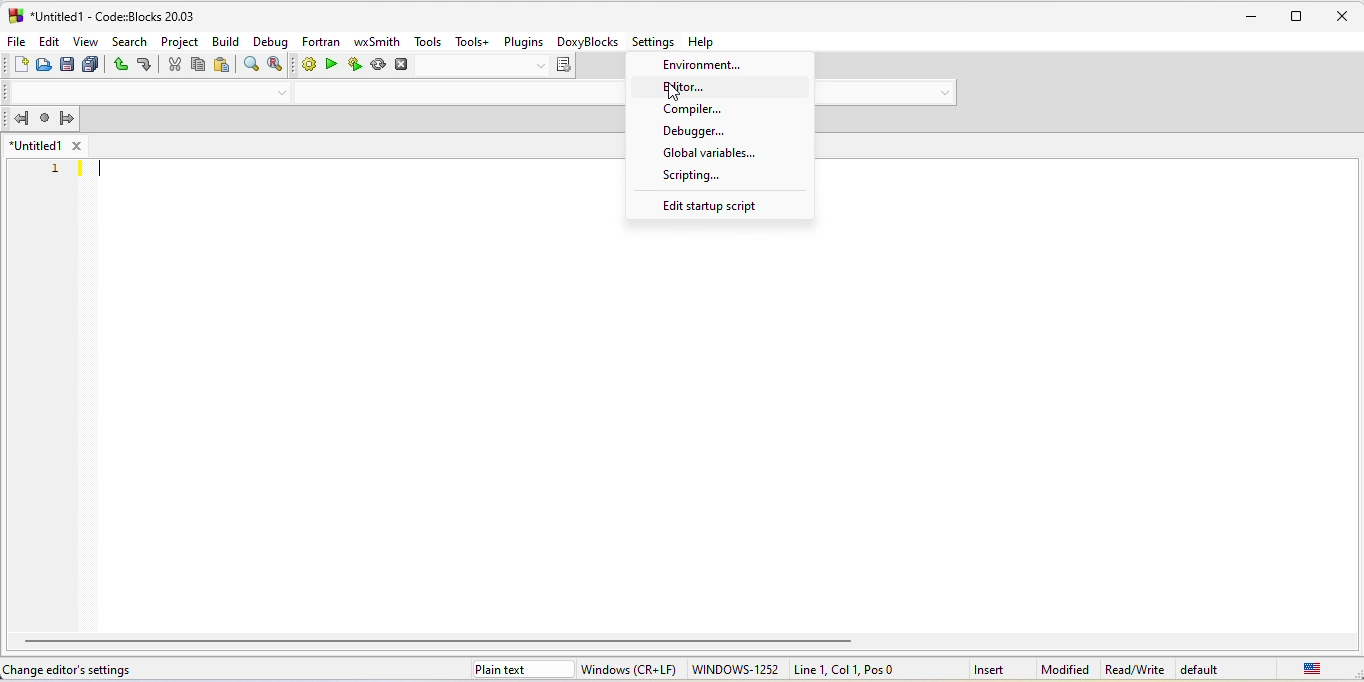  What do you see at coordinates (85, 41) in the screenshot?
I see `view` at bounding box center [85, 41].